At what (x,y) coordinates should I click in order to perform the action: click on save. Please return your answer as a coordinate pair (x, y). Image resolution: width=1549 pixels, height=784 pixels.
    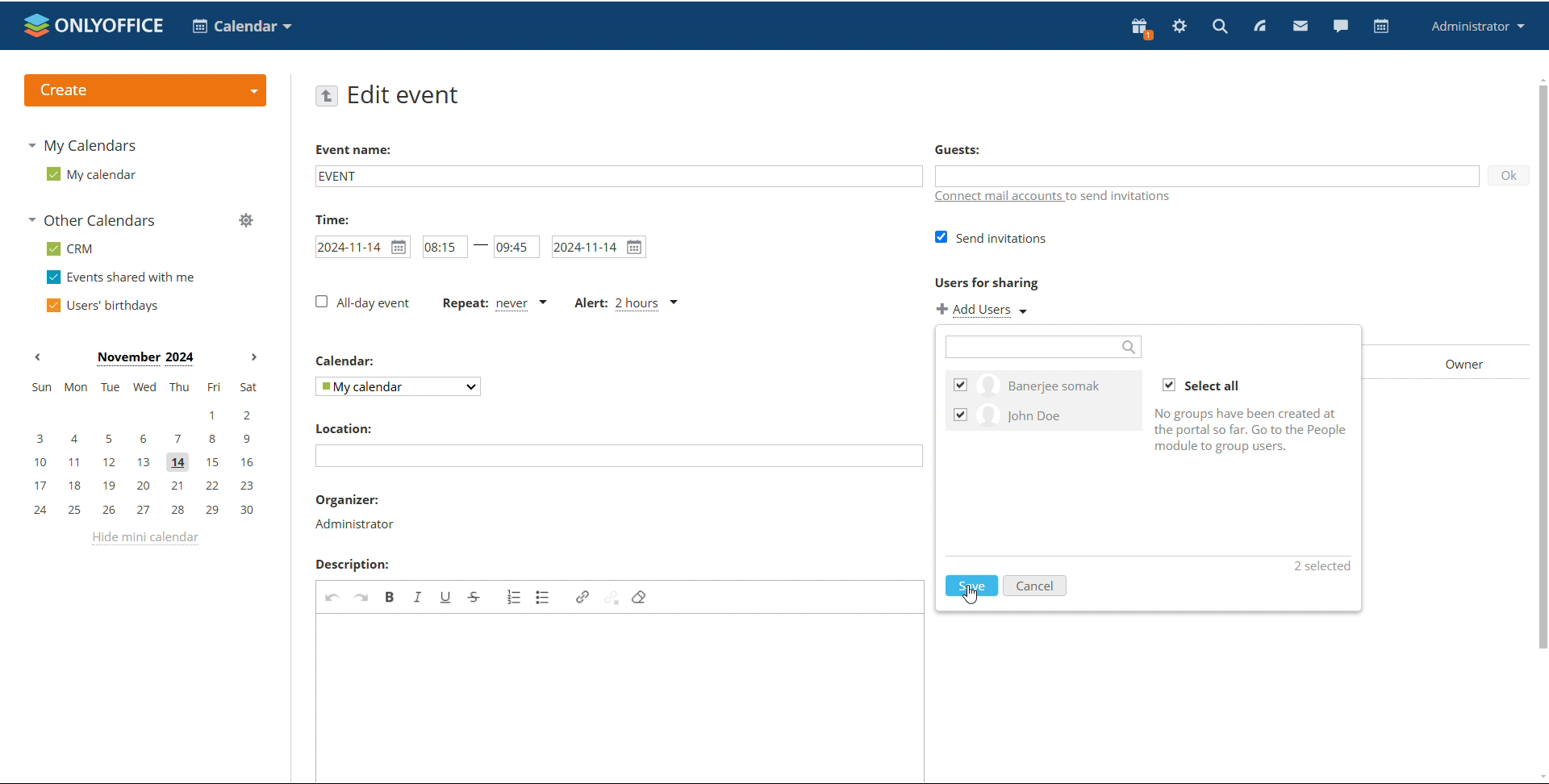
    Looking at the image, I should click on (971, 586).